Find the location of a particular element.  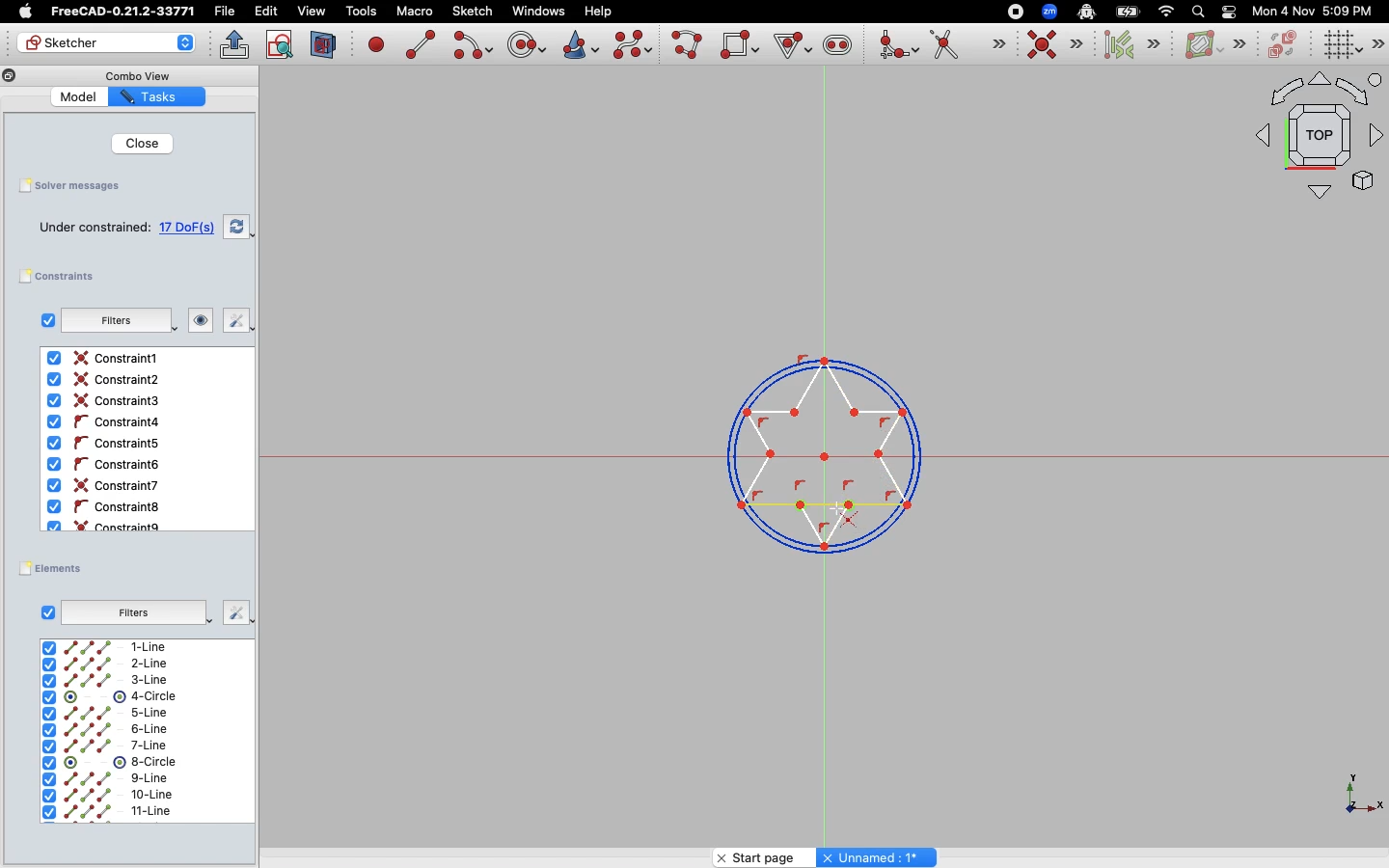

9-line is located at coordinates (110, 779).